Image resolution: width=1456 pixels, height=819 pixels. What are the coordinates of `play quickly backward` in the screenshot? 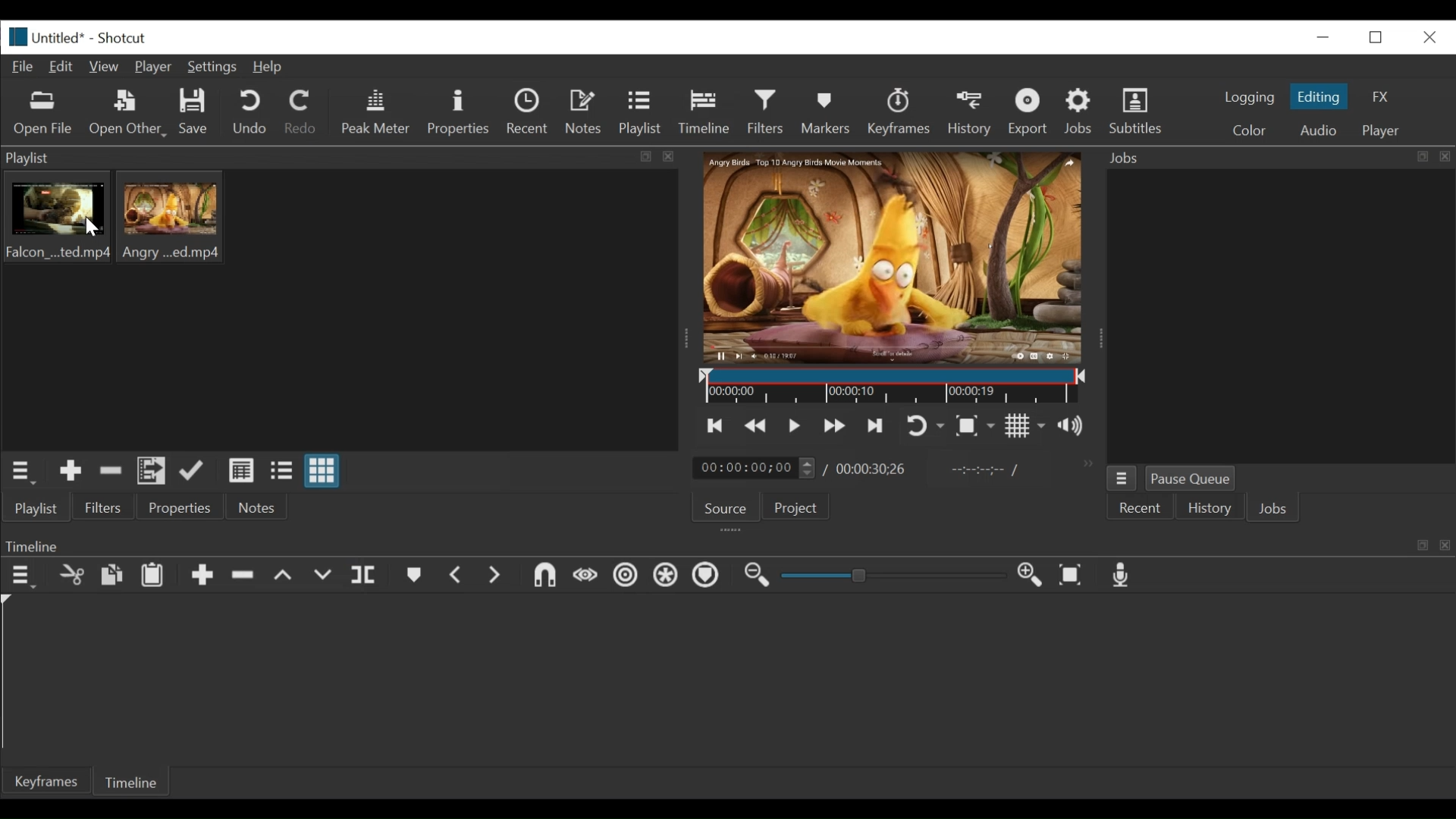 It's located at (756, 426).